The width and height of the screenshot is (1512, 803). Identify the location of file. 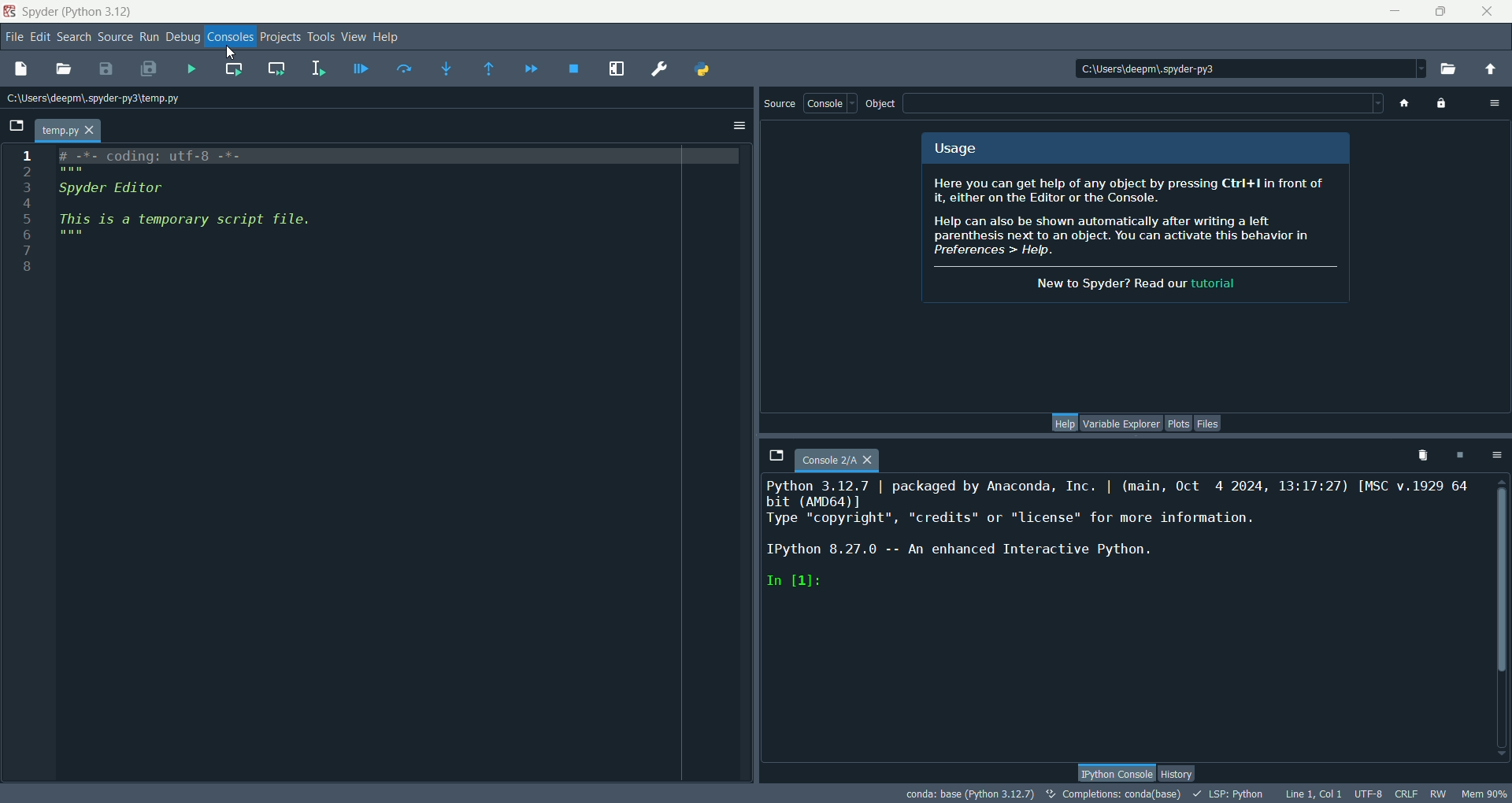
(13, 37).